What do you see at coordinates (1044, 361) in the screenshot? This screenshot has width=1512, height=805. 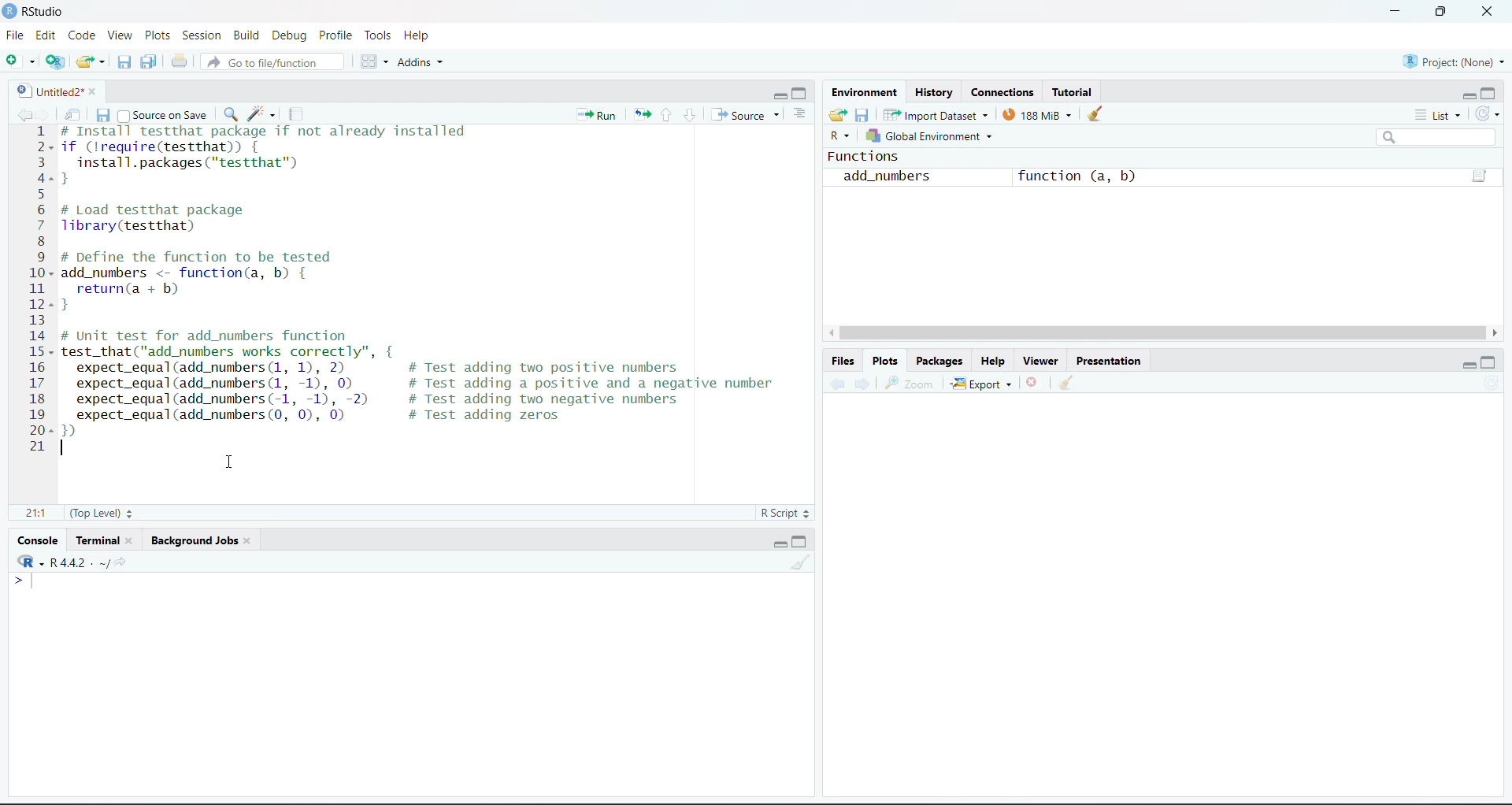 I see `Viewer` at bounding box center [1044, 361].